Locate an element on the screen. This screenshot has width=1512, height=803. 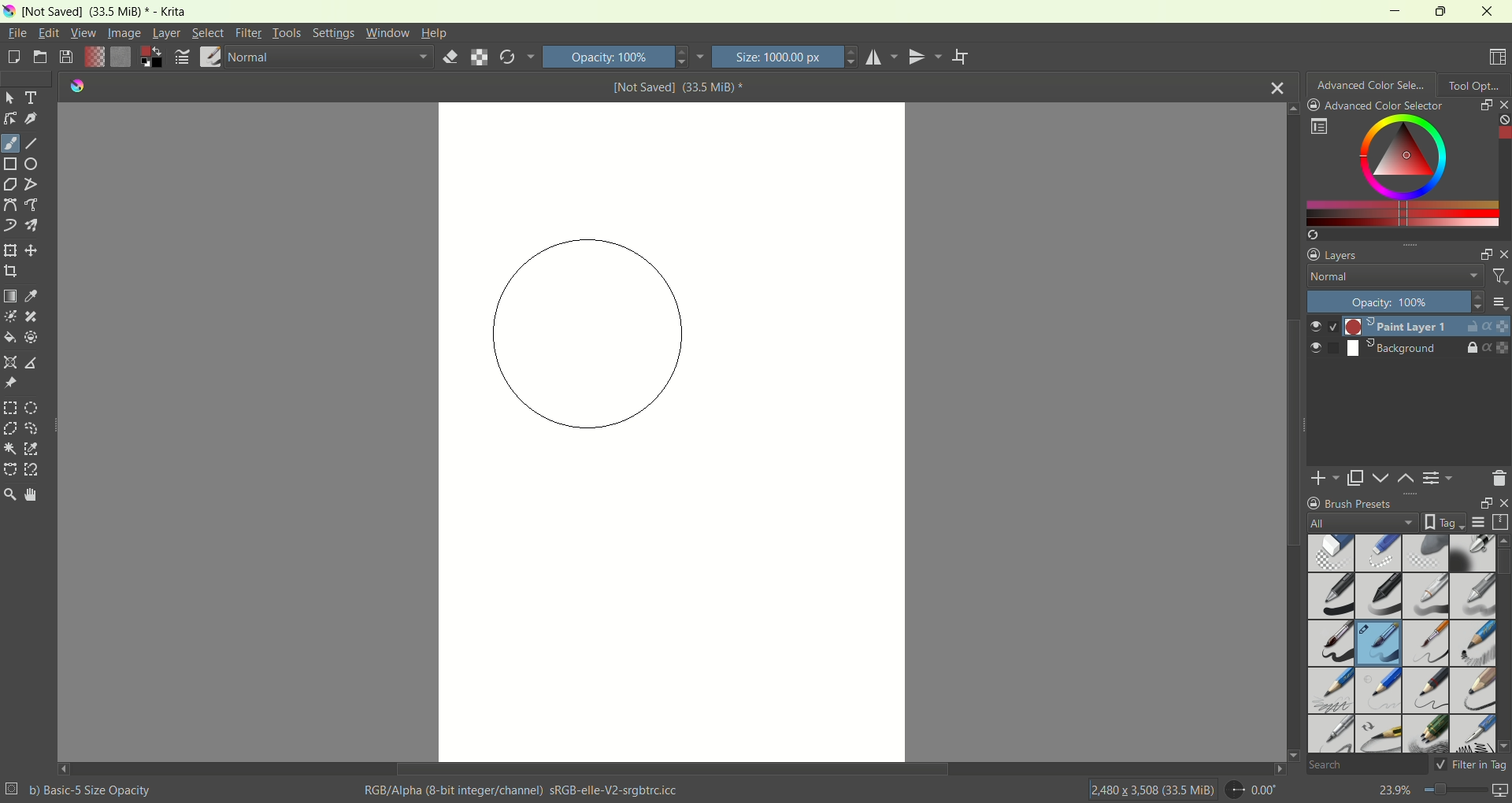
advanced color selector is located at coordinates (1376, 105).